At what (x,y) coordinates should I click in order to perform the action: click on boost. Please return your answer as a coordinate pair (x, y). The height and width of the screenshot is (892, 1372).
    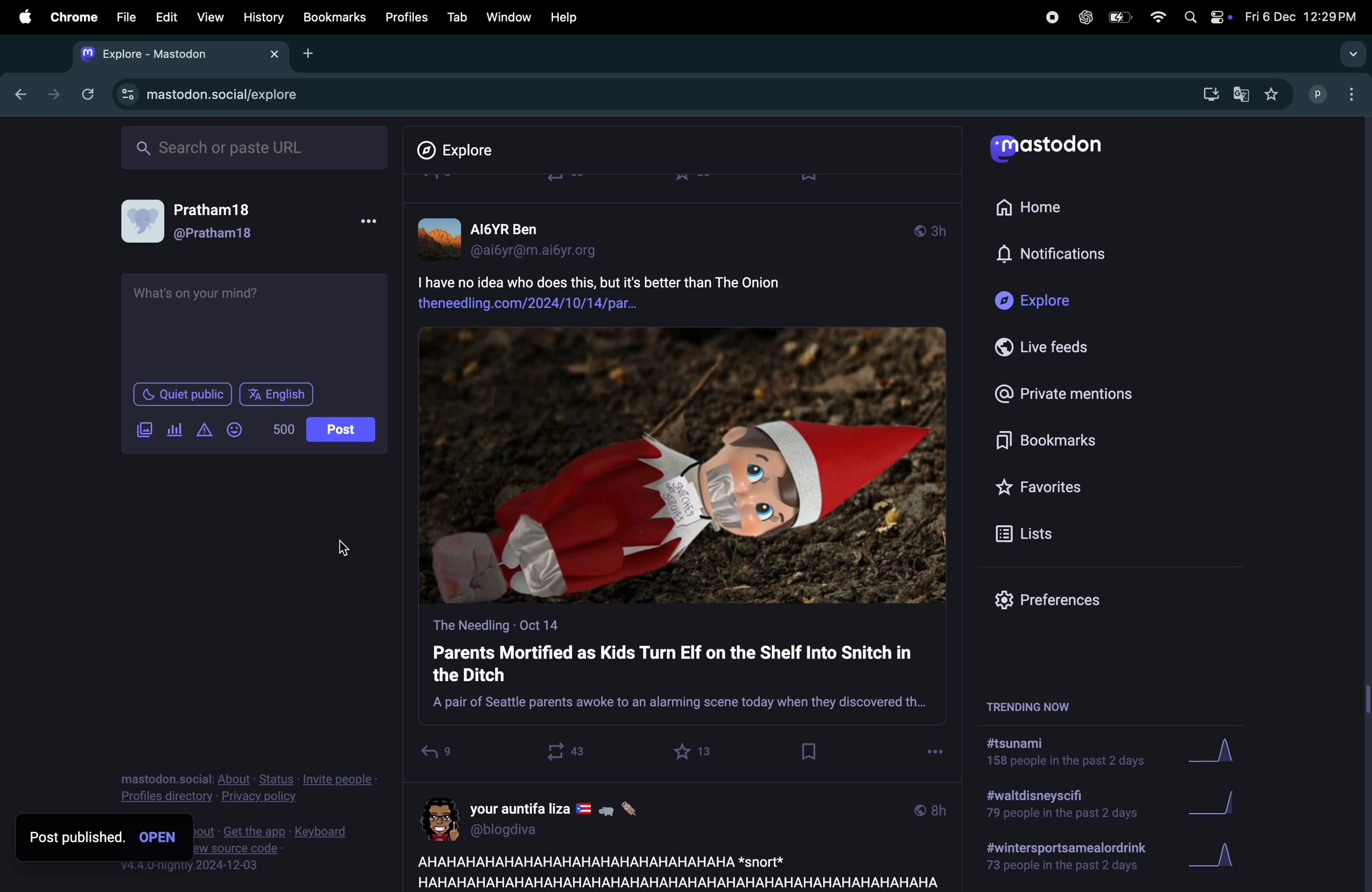
    Looking at the image, I should click on (560, 751).